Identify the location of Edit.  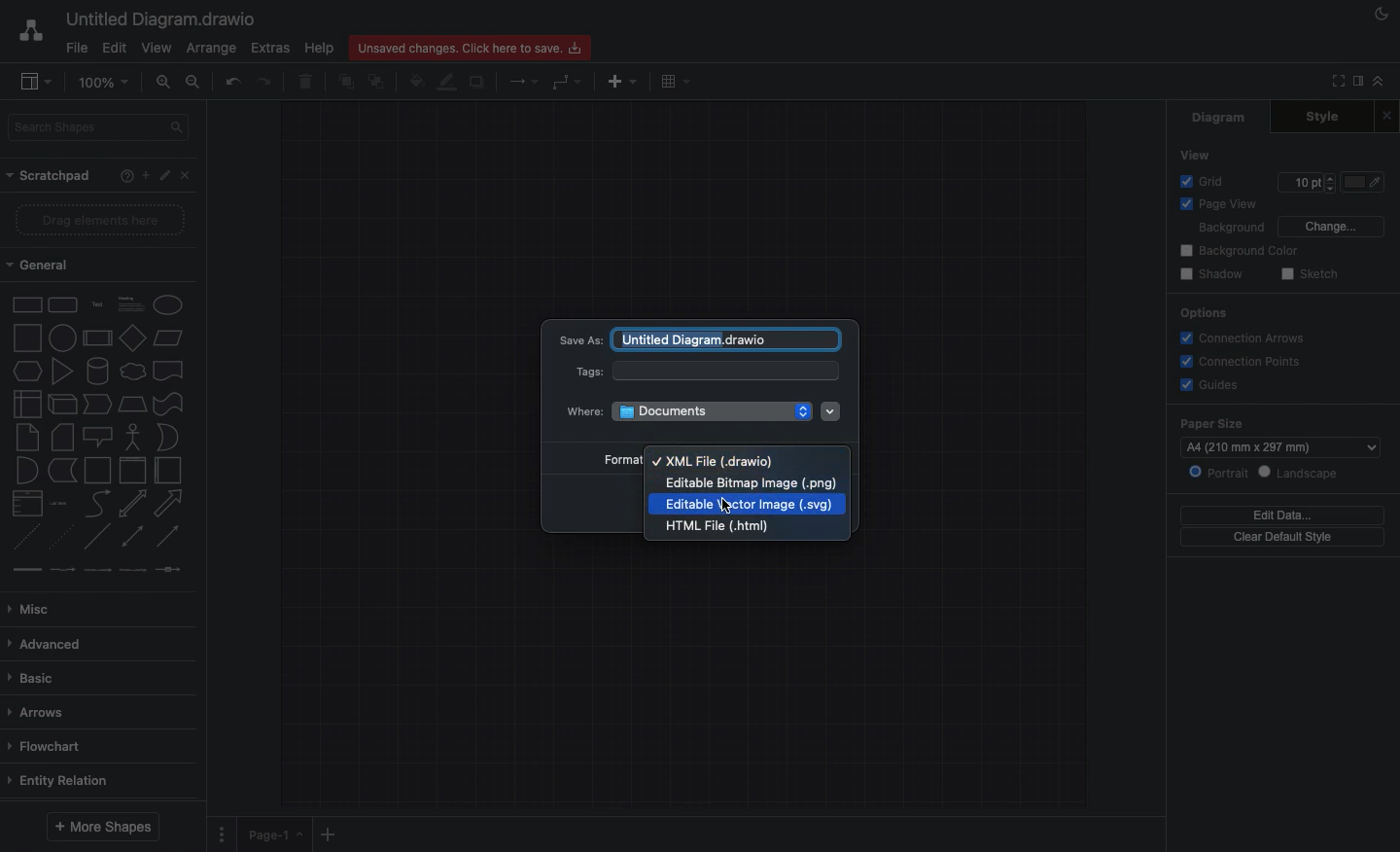
(112, 49).